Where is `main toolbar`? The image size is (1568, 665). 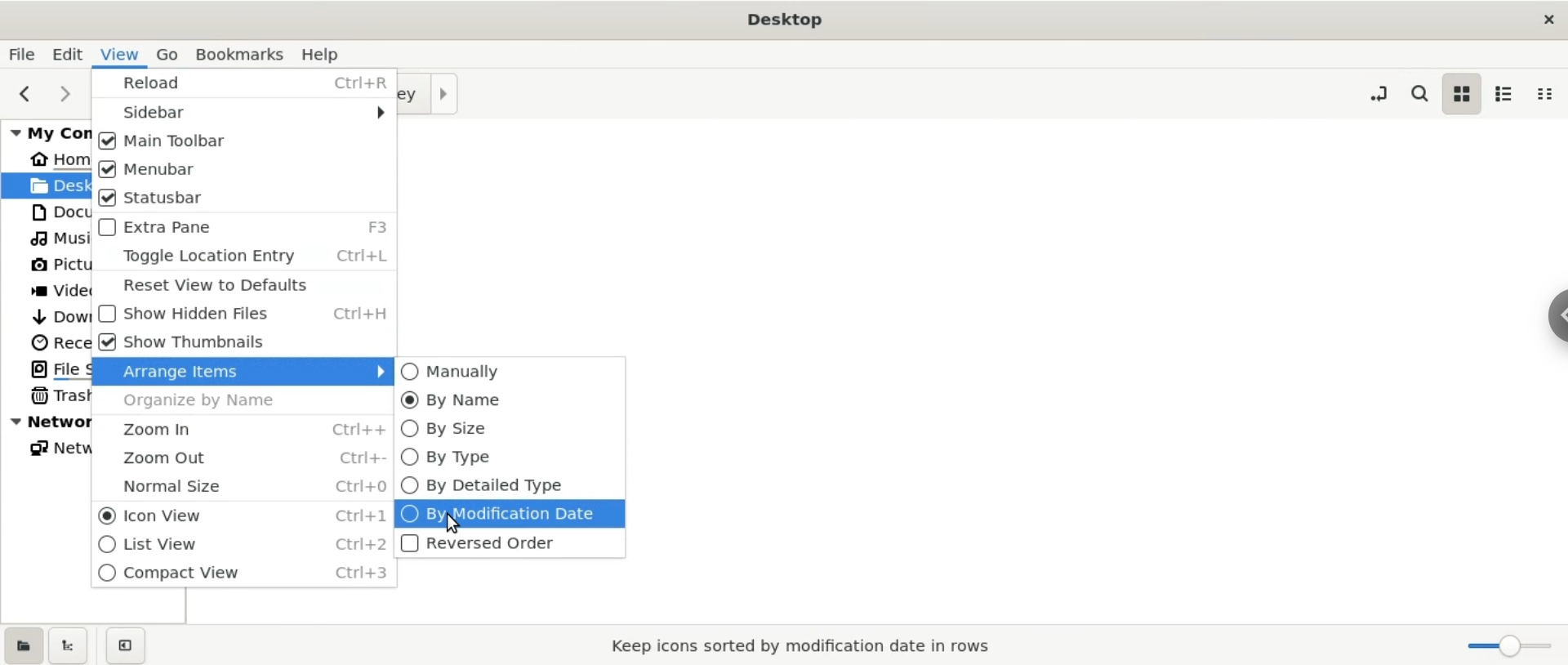
main toolbar is located at coordinates (243, 142).